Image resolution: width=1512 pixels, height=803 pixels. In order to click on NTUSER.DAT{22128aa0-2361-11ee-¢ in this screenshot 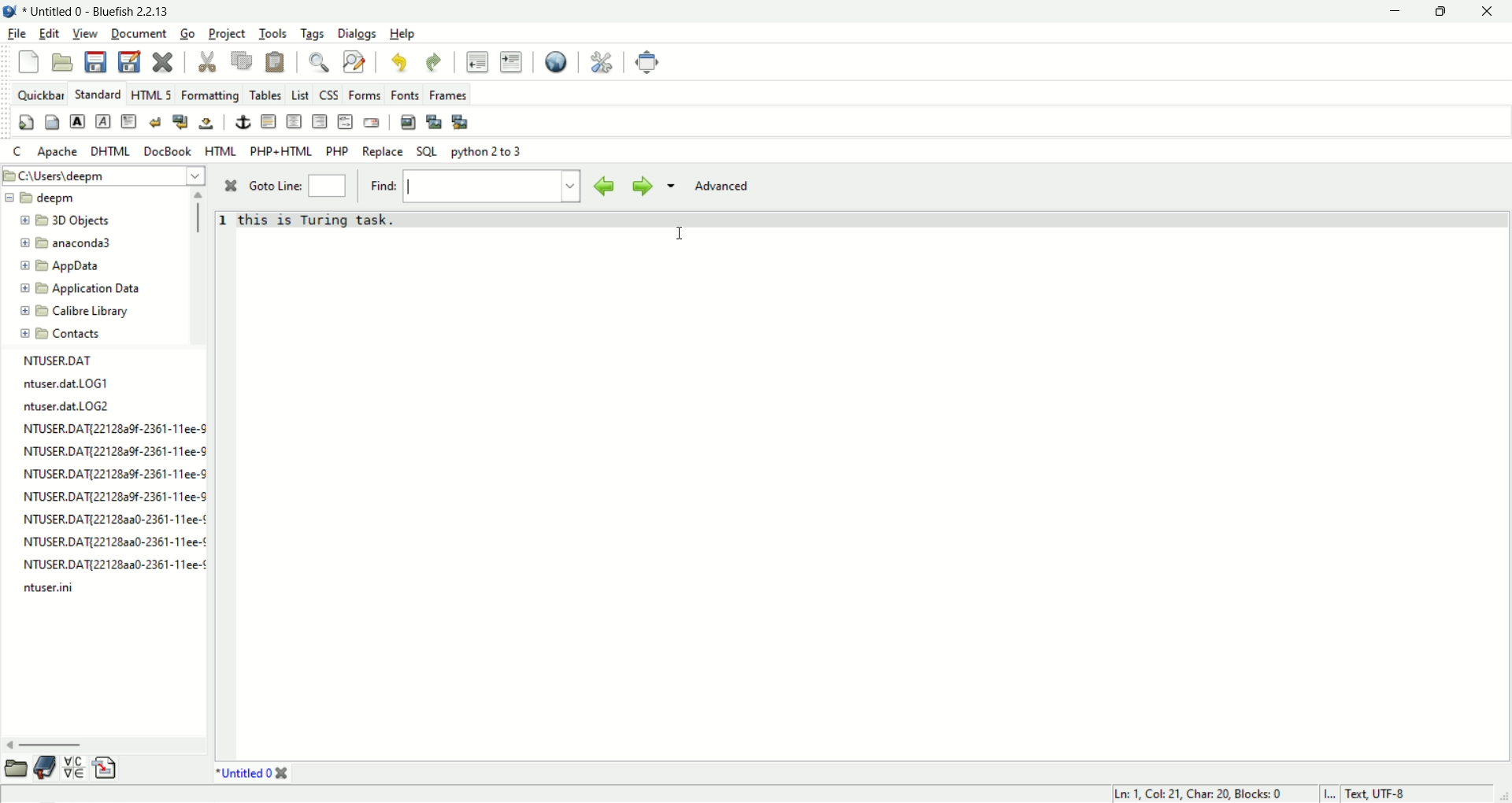, I will do `click(117, 563)`.